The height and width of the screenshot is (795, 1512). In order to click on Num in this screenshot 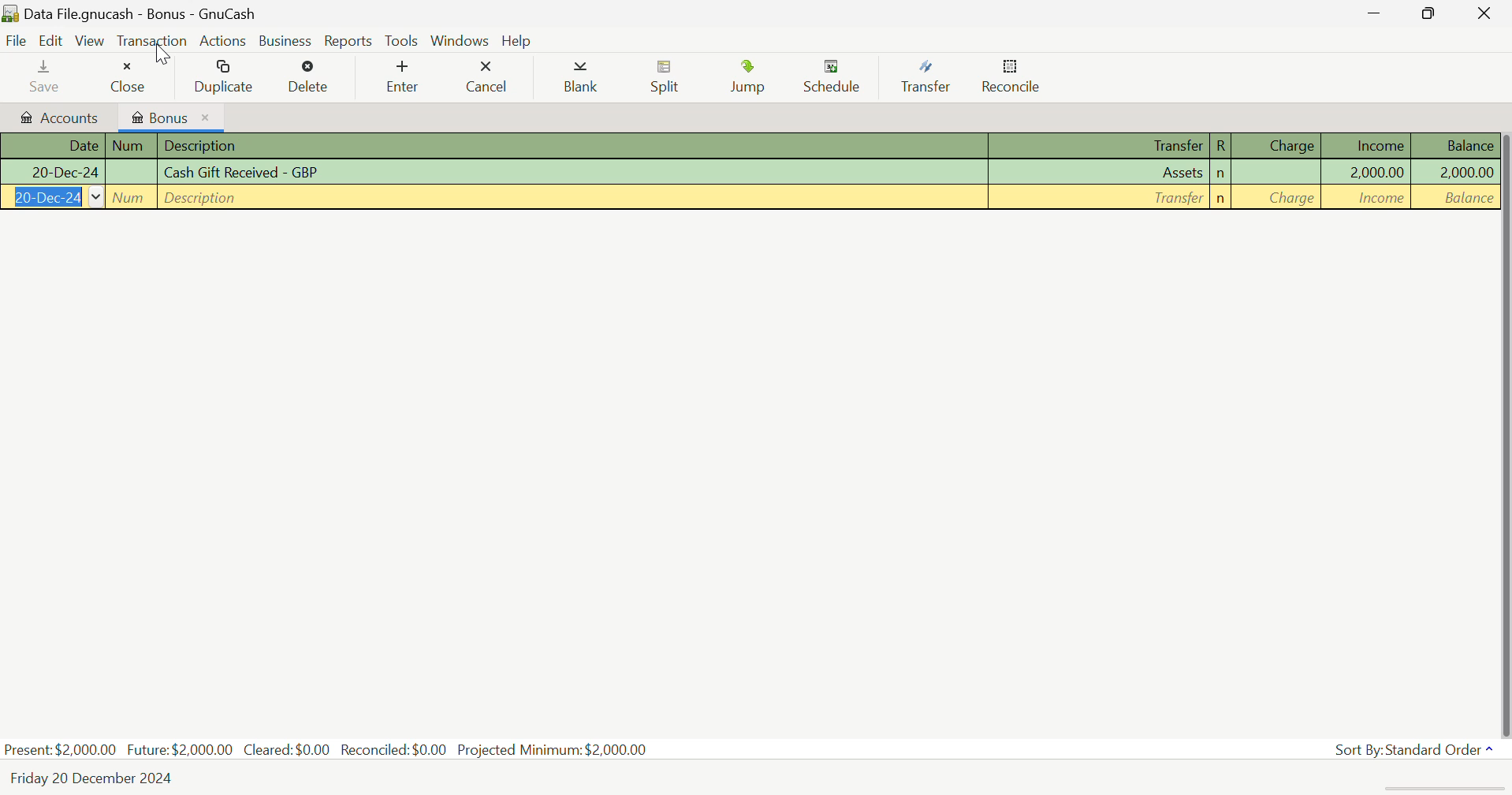, I will do `click(132, 198)`.